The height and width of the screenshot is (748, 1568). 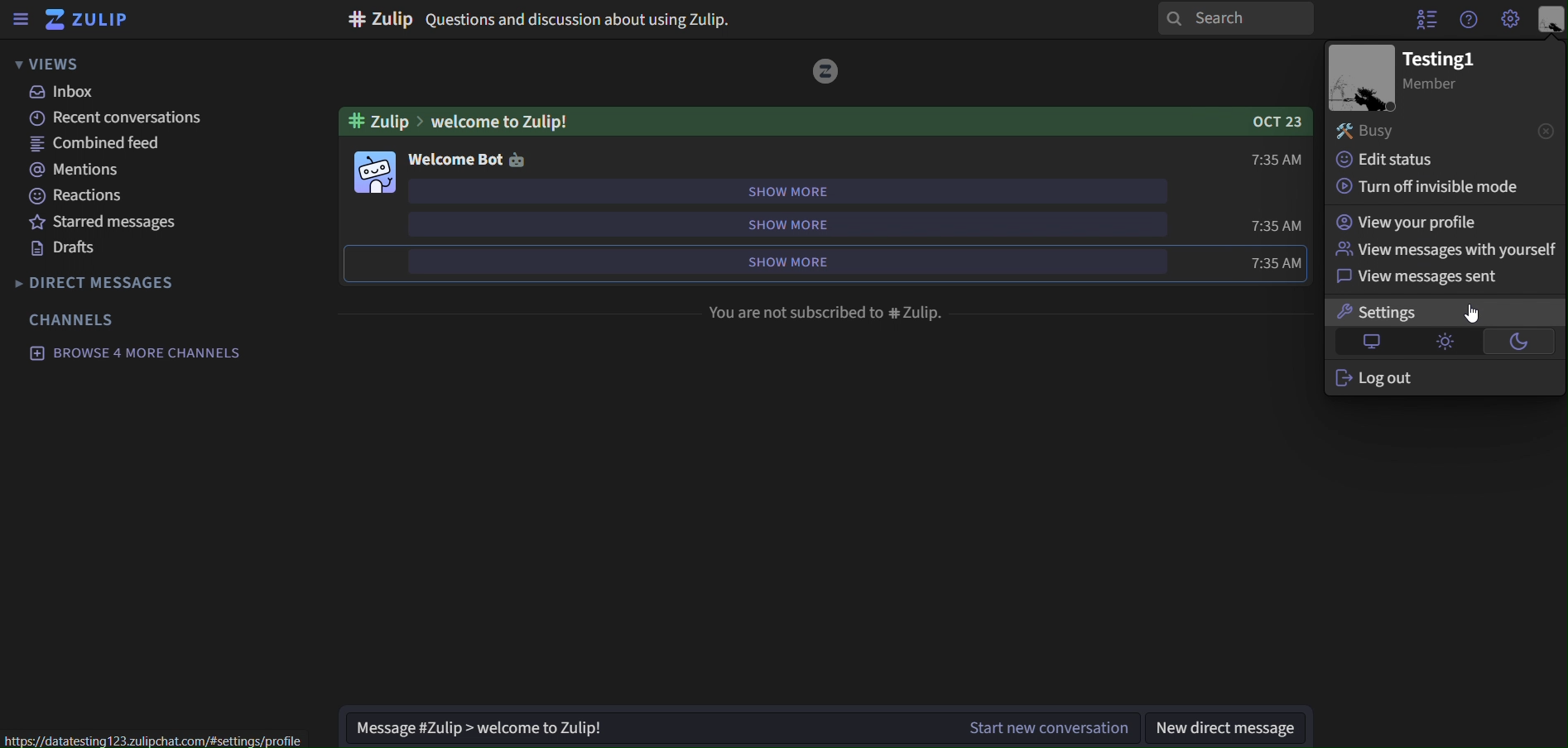 What do you see at coordinates (738, 728) in the screenshot?
I see `start new conversation` at bounding box center [738, 728].